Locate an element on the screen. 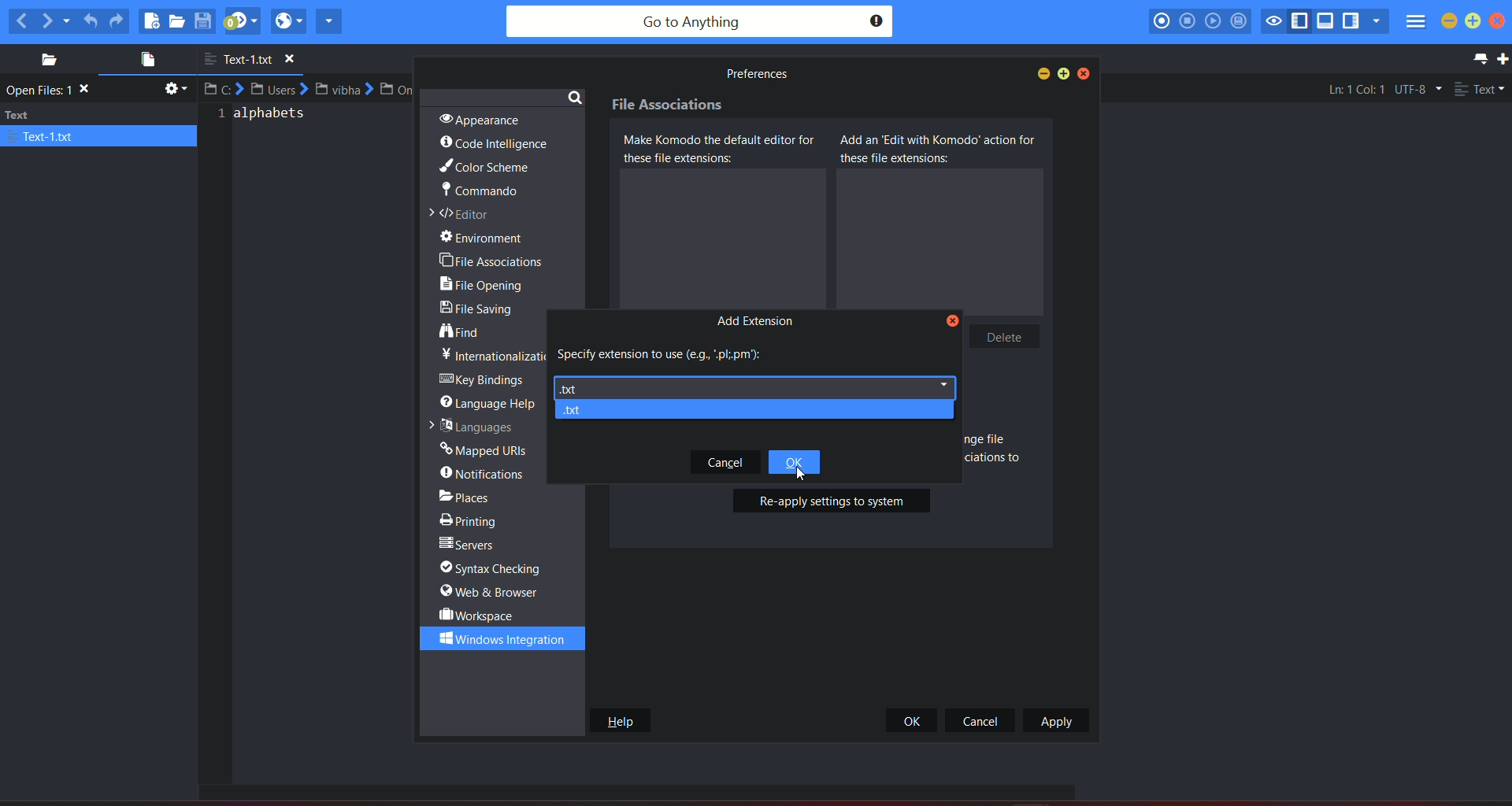  Ln:1 Col:1 is located at coordinates (1351, 89).